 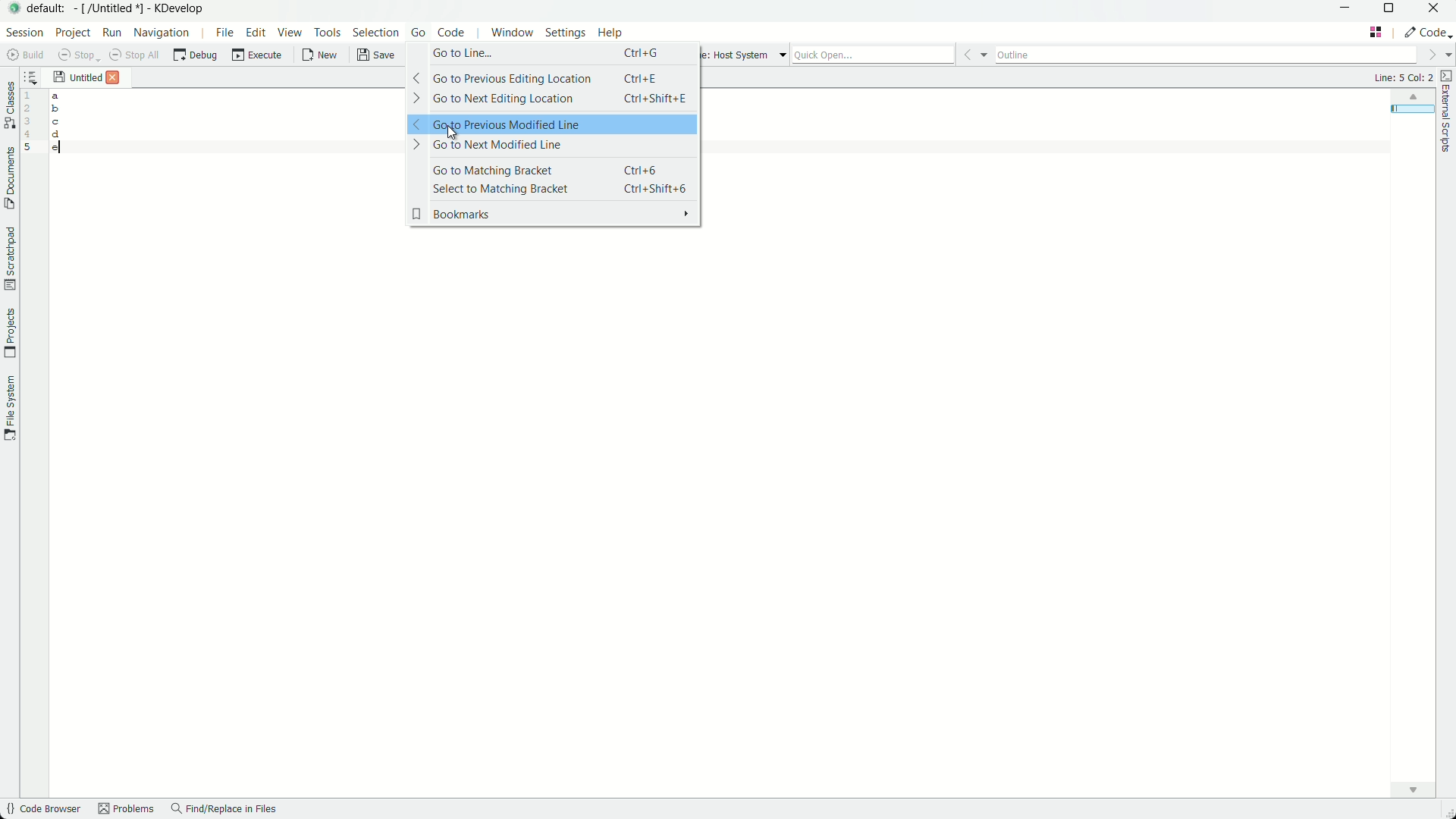 What do you see at coordinates (111, 33) in the screenshot?
I see `run` at bounding box center [111, 33].